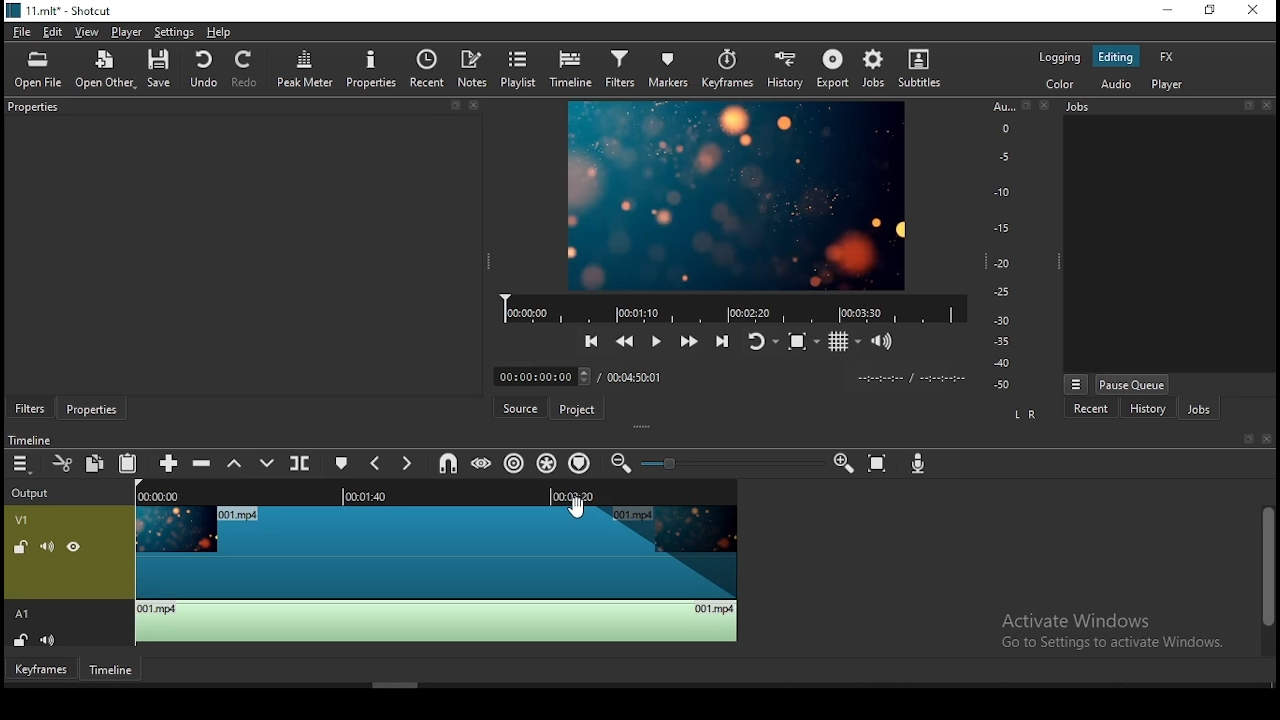 The height and width of the screenshot is (720, 1280). What do you see at coordinates (845, 343) in the screenshot?
I see `toggle grid display on the player` at bounding box center [845, 343].